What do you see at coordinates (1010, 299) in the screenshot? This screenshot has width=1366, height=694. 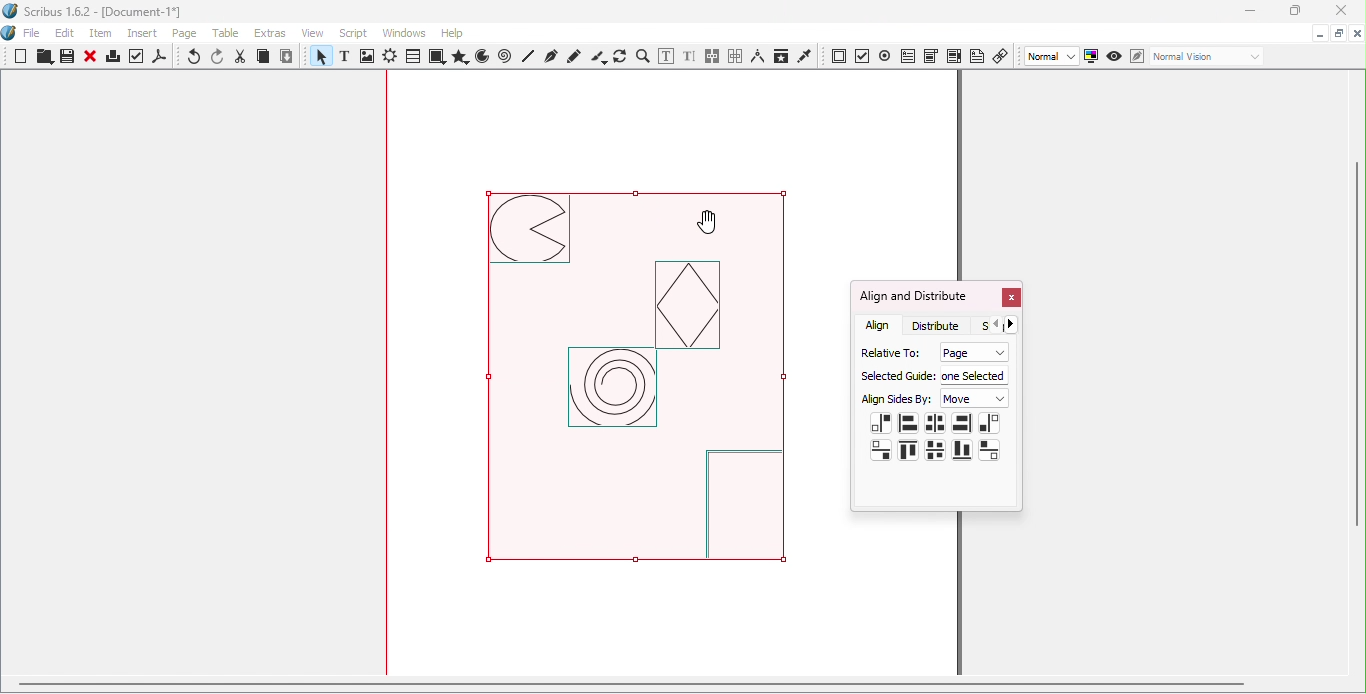 I see `Close` at bounding box center [1010, 299].